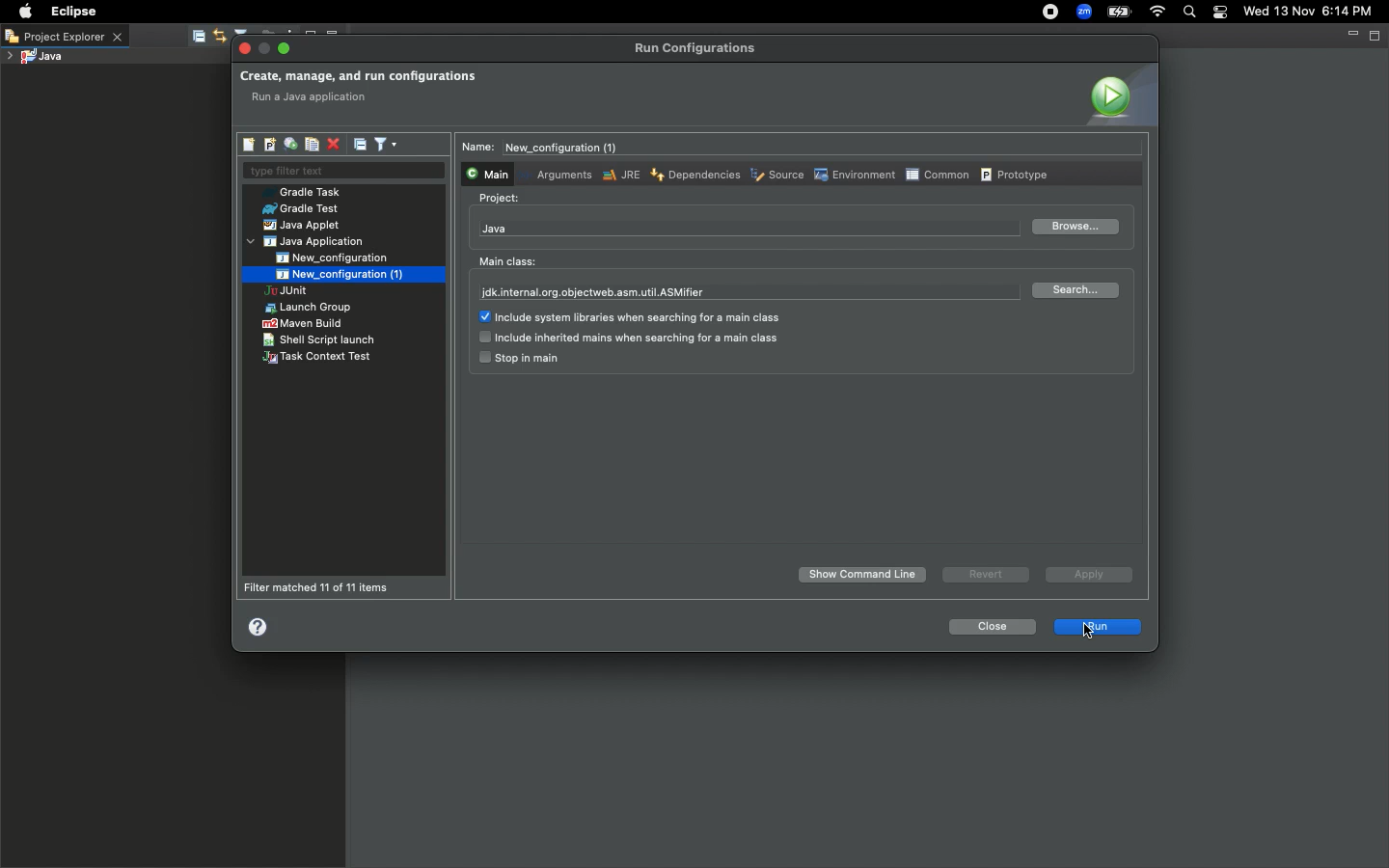 The width and height of the screenshot is (1389, 868). What do you see at coordinates (1376, 35) in the screenshot?
I see `Maximize` at bounding box center [1376, 35].